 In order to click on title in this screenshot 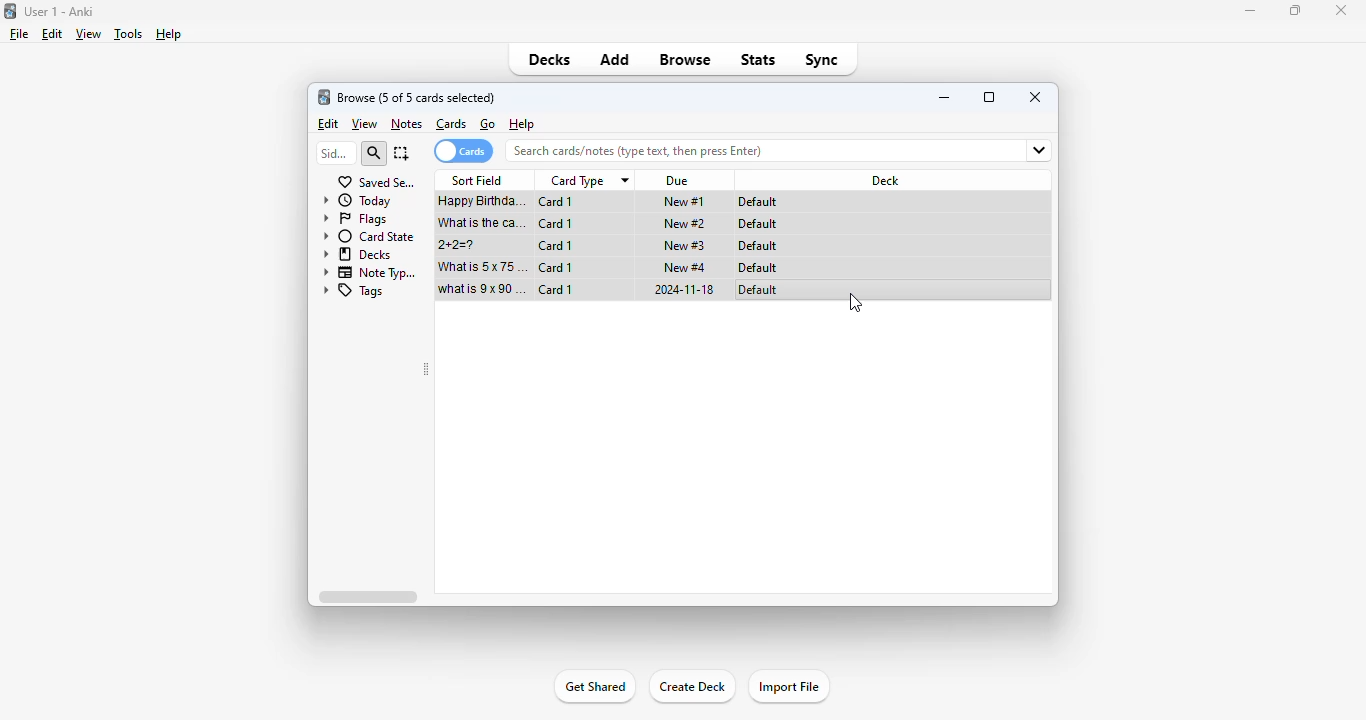, I will do `click(58, 12)`.